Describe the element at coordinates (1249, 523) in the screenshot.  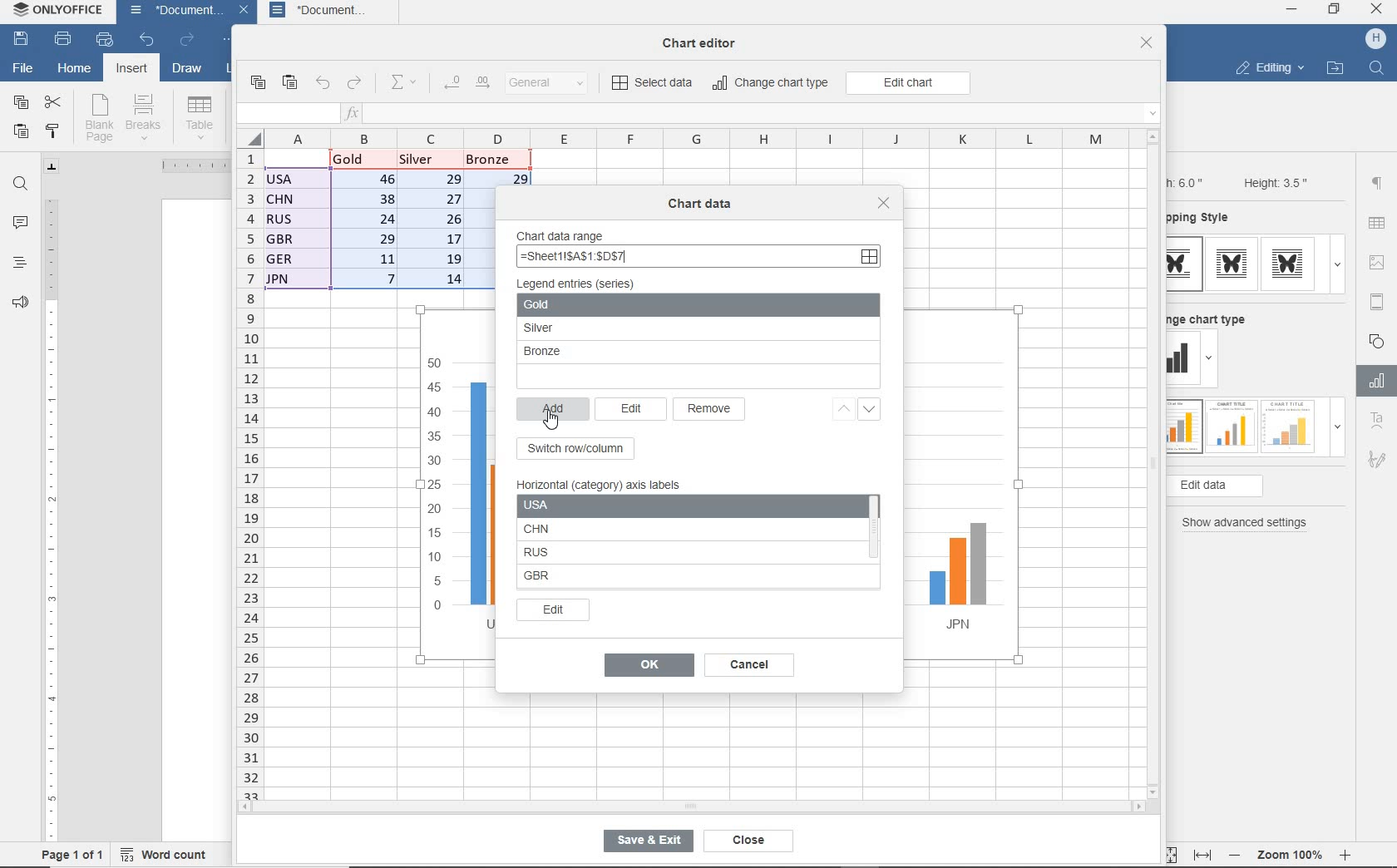
I see `show advanced settings` at that location.